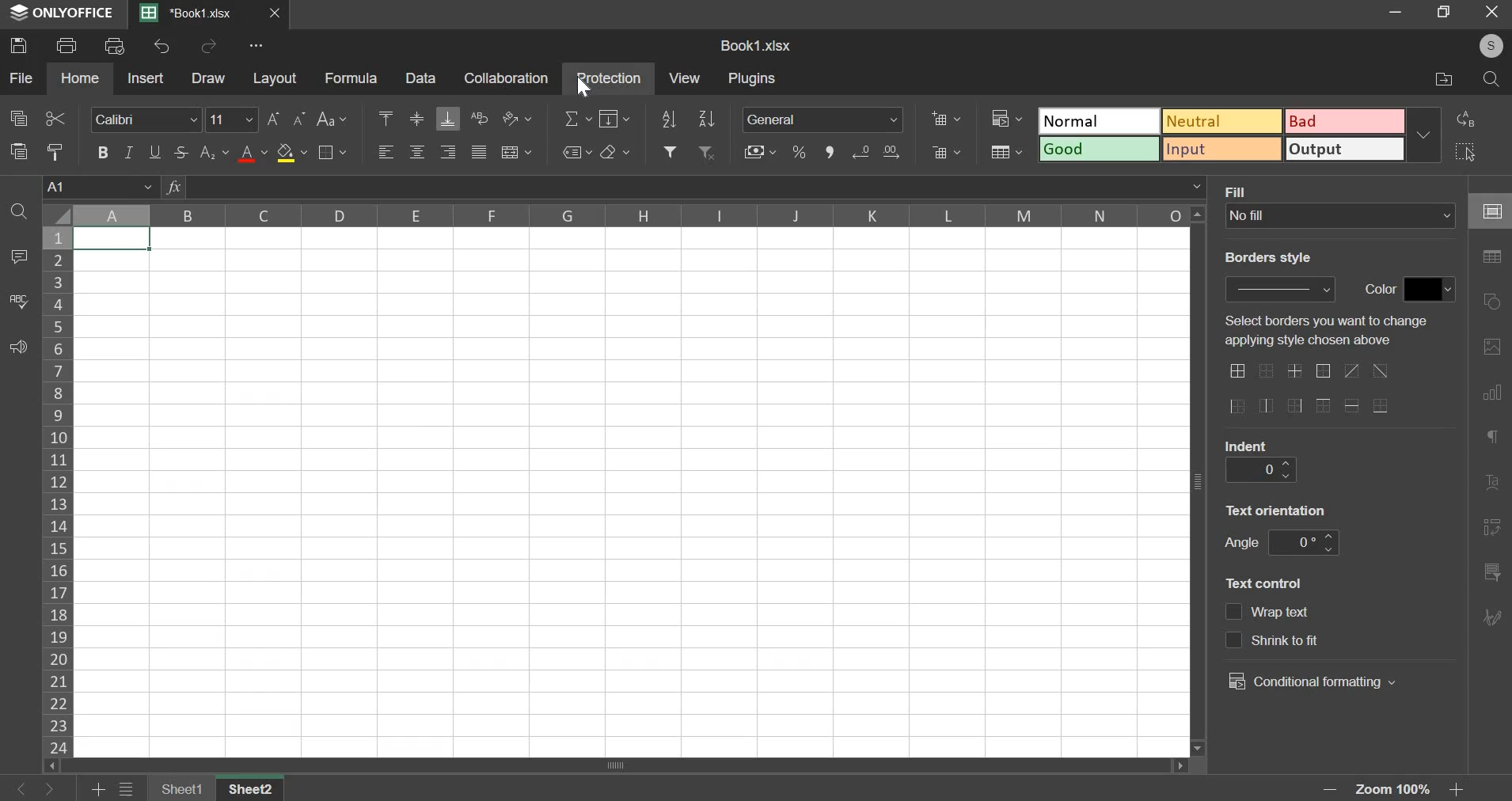  Describe the element at coordinates (1440, 79) in the screenshot. I see `File` at that location.